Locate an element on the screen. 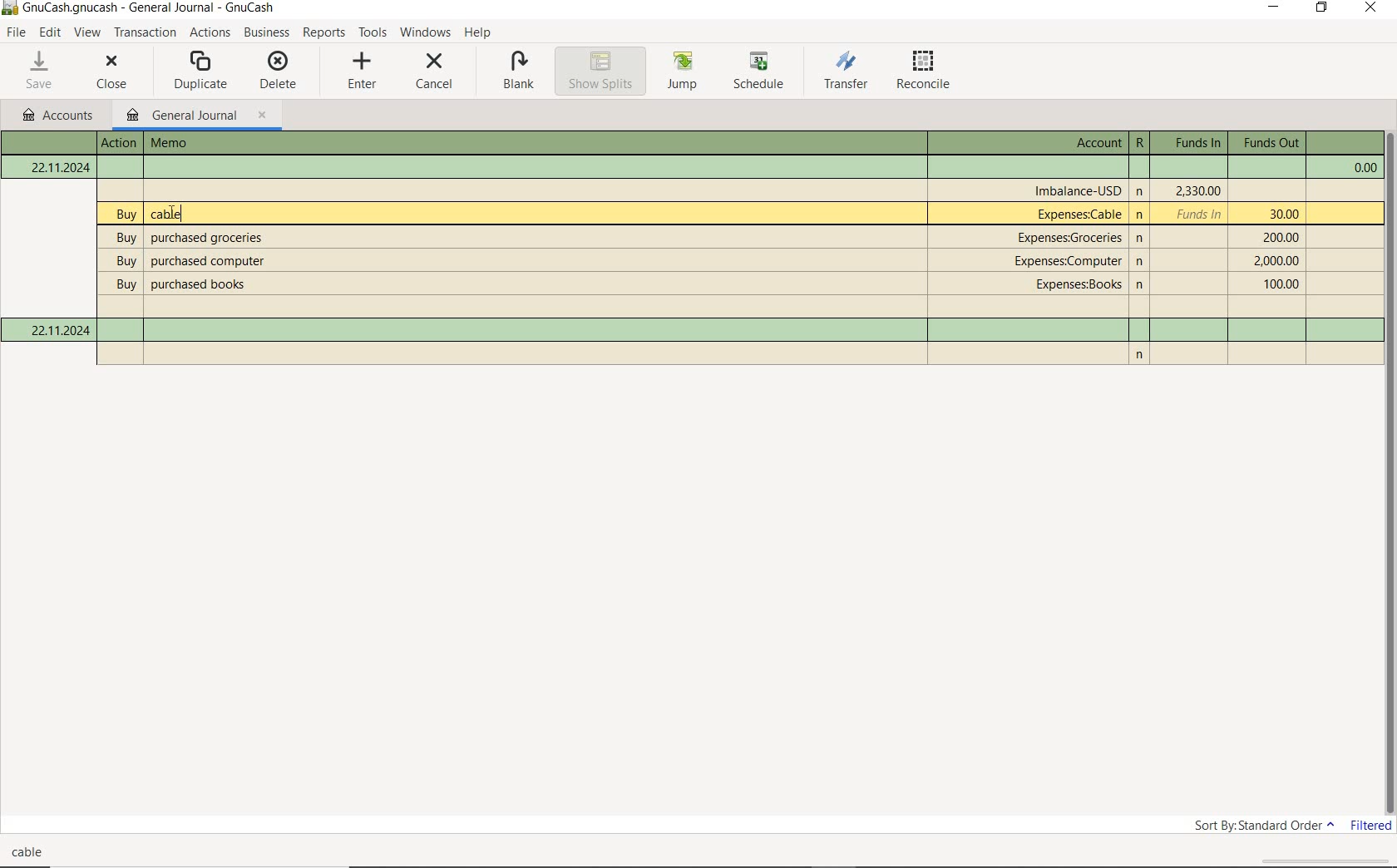 The height and width of the screenshot is (868, 1397). typed memo is located at coordinates (165, 213).